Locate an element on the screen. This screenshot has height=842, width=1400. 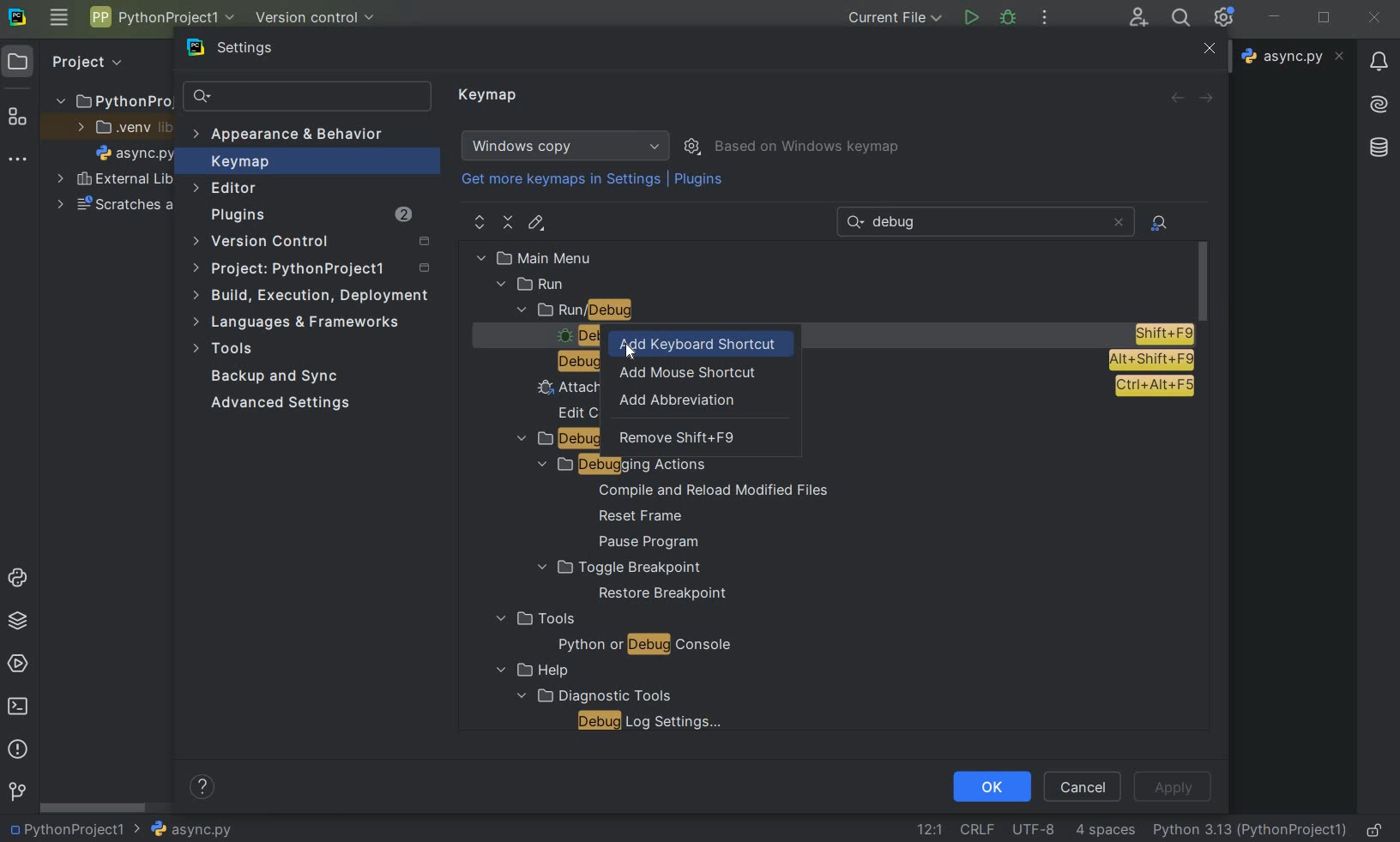
forward is located at coordinates (1210, 99).